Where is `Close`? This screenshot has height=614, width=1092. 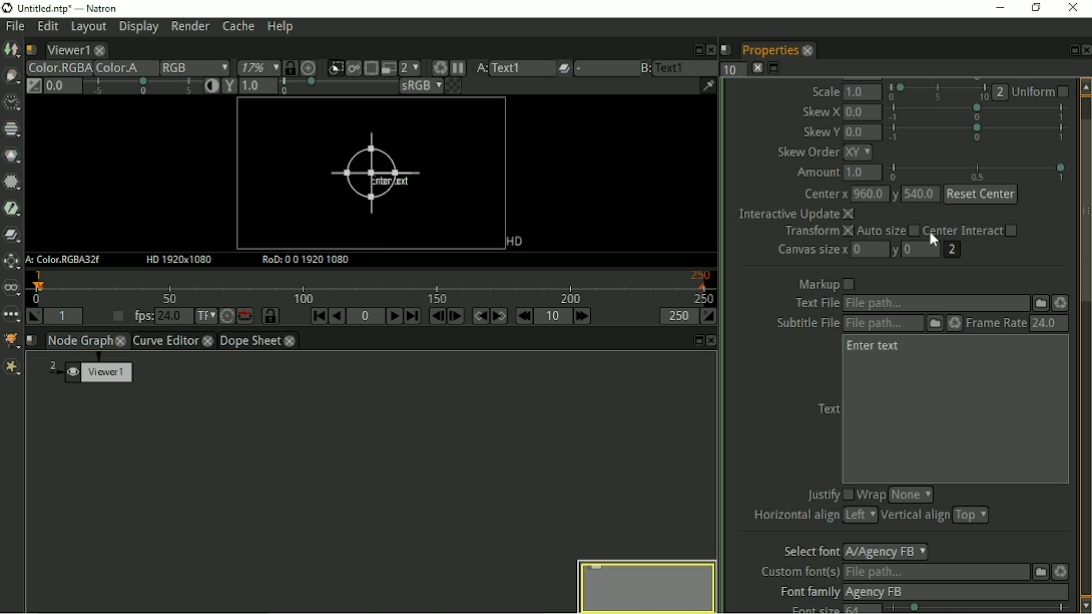
Close is located at coordinates (713, 341).